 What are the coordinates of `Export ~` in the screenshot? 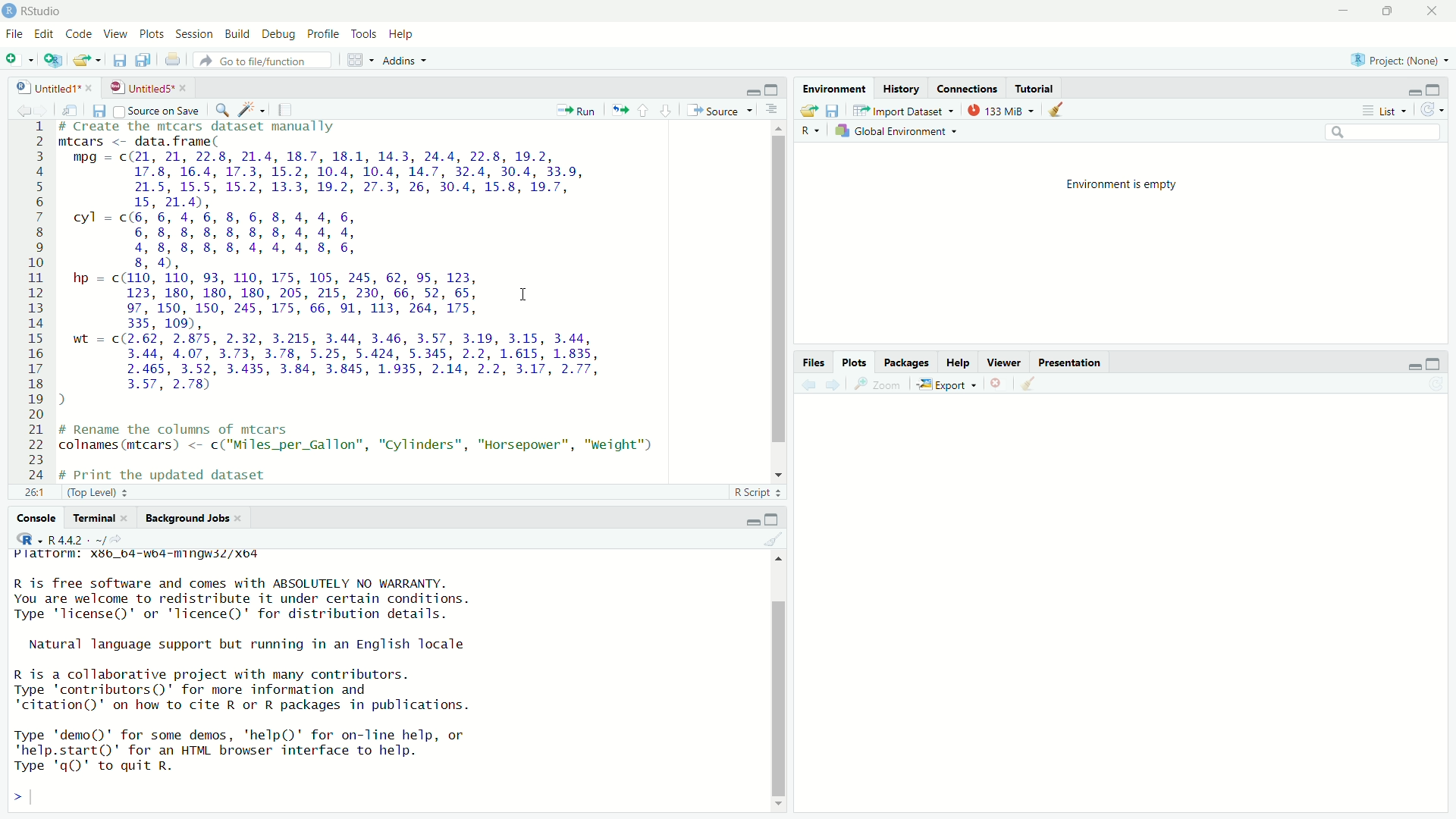 It's located at (946, 385).